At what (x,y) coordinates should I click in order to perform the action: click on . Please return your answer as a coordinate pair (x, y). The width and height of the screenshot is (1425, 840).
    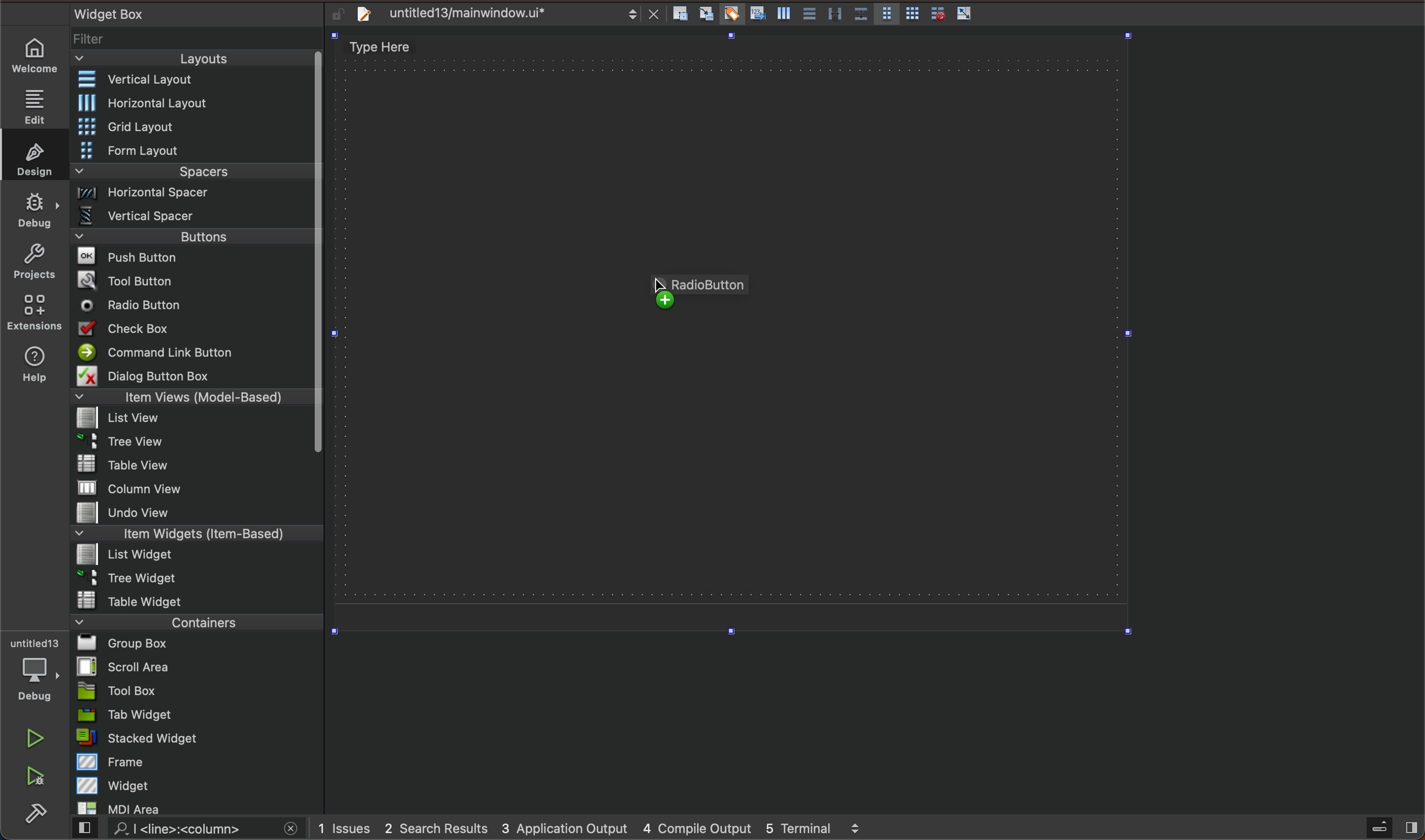
    Looking at the image, I should click on (200, 103).